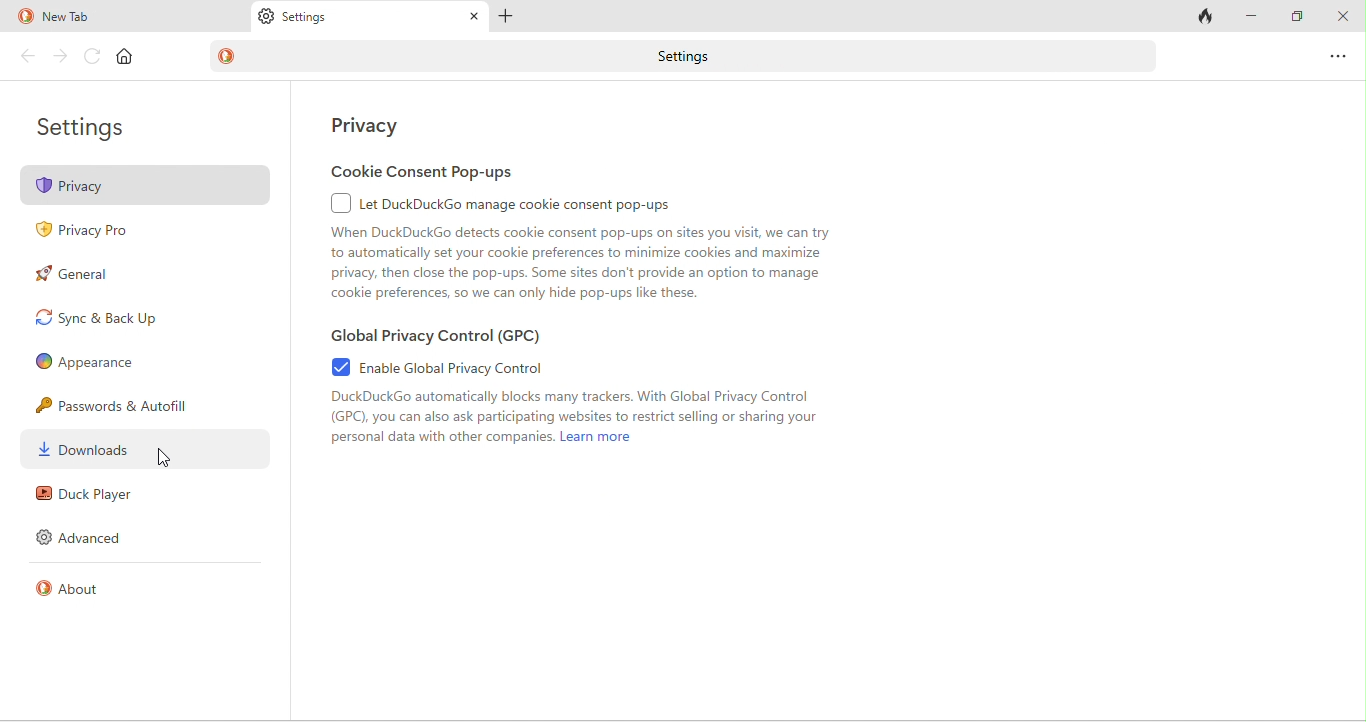 This screenshot has width=1366, height=722. I want to click on about, so click(78, 591).